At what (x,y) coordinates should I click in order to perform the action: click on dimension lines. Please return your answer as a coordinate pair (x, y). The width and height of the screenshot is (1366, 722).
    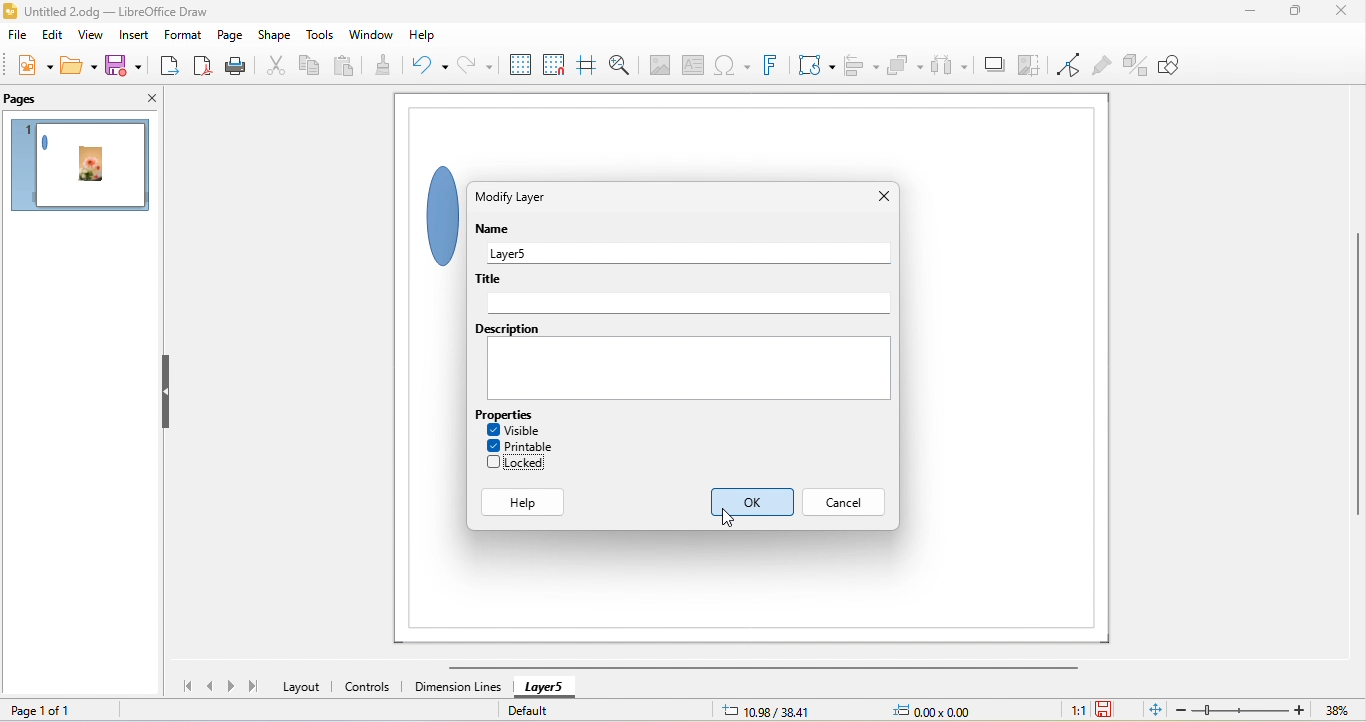
    Looking at the image, I should click on (457, 687).